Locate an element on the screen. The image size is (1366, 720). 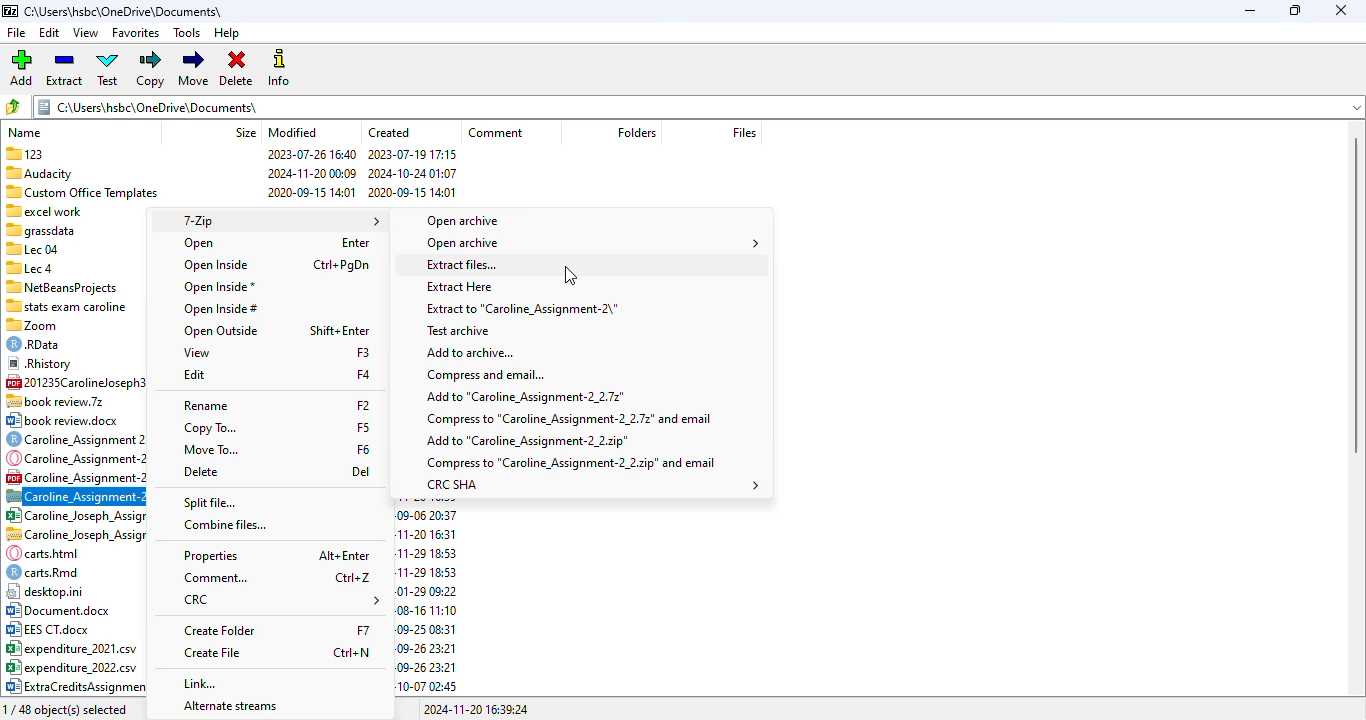
shortcut for create file is located at coordinates (352, 653).